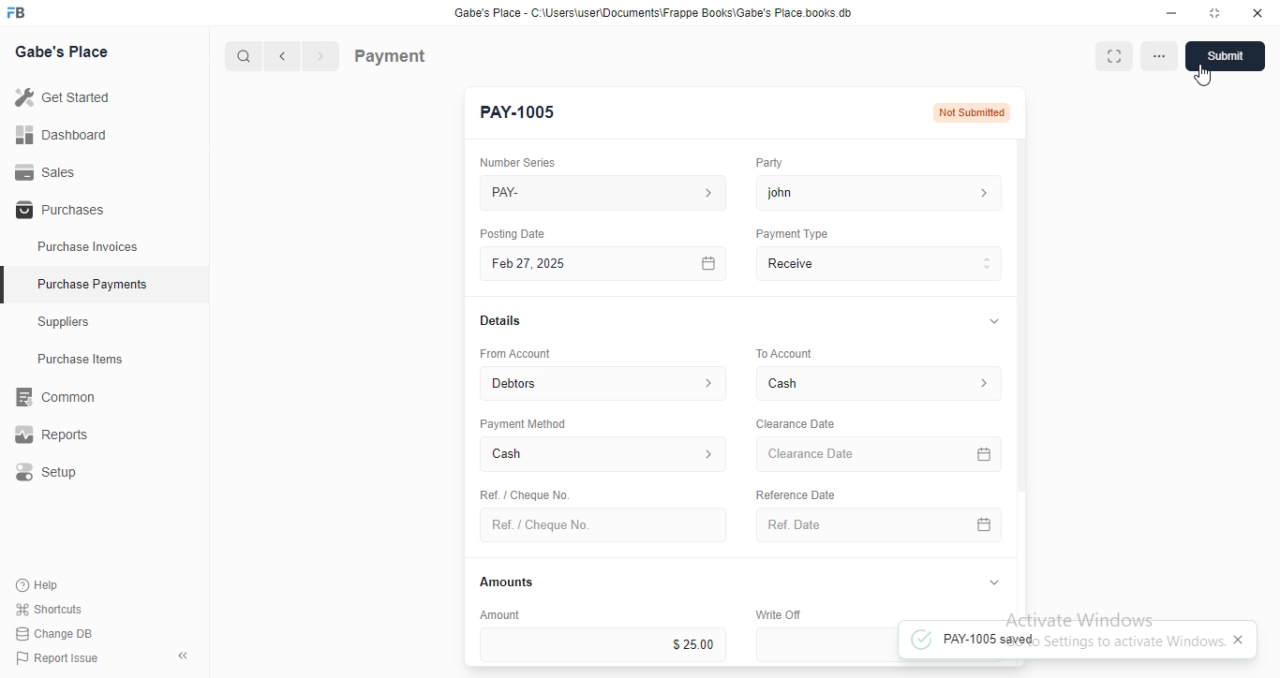  What do you see at coordinates (879, 192) in the screenshot?
I see `john` at bounding box center [879, 192].